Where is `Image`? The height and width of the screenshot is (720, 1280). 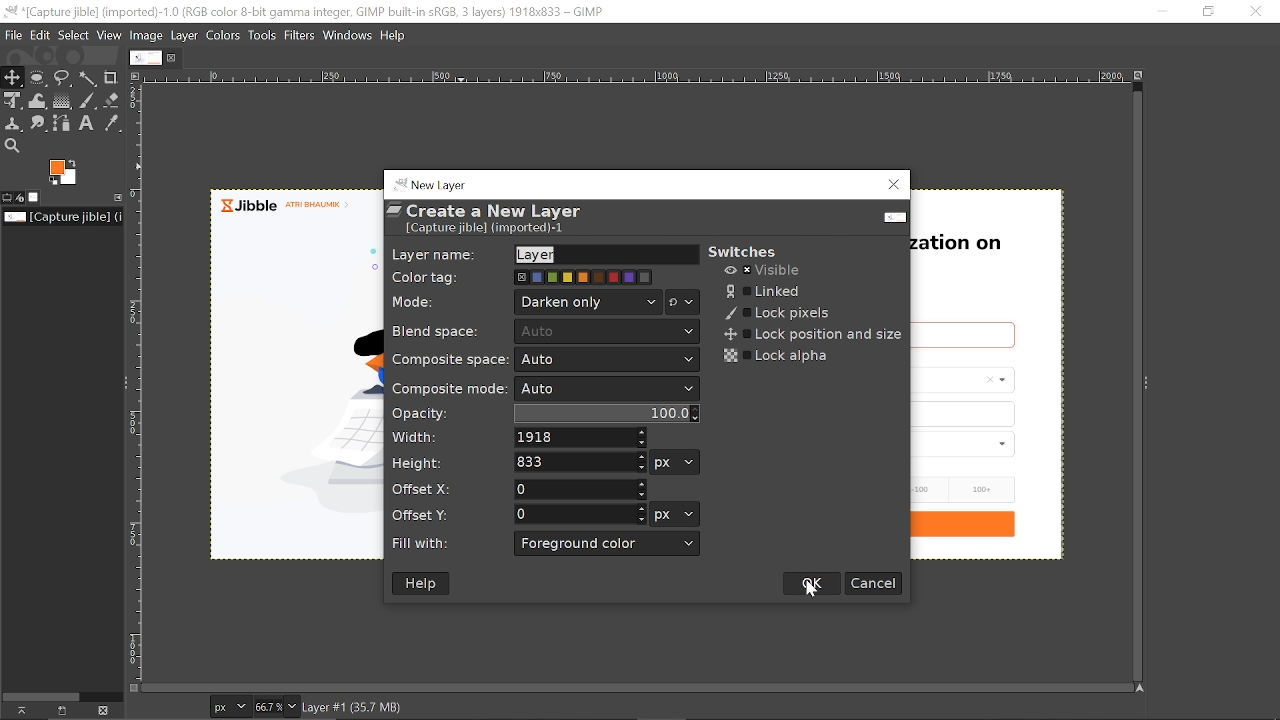
Image is located at coordinates (147, 35).